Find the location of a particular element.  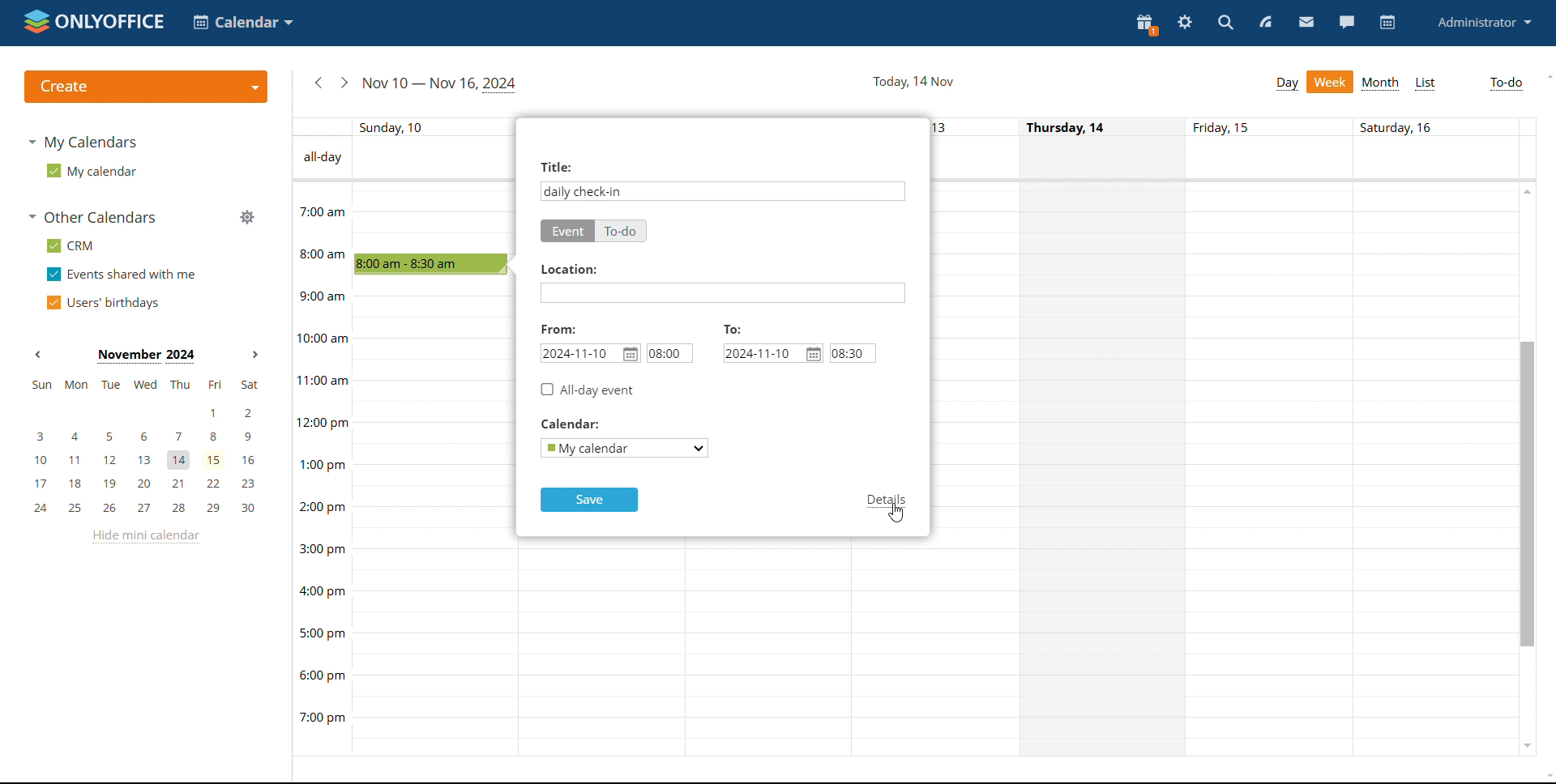

users' birthdays is located at coordinates (102, 303).